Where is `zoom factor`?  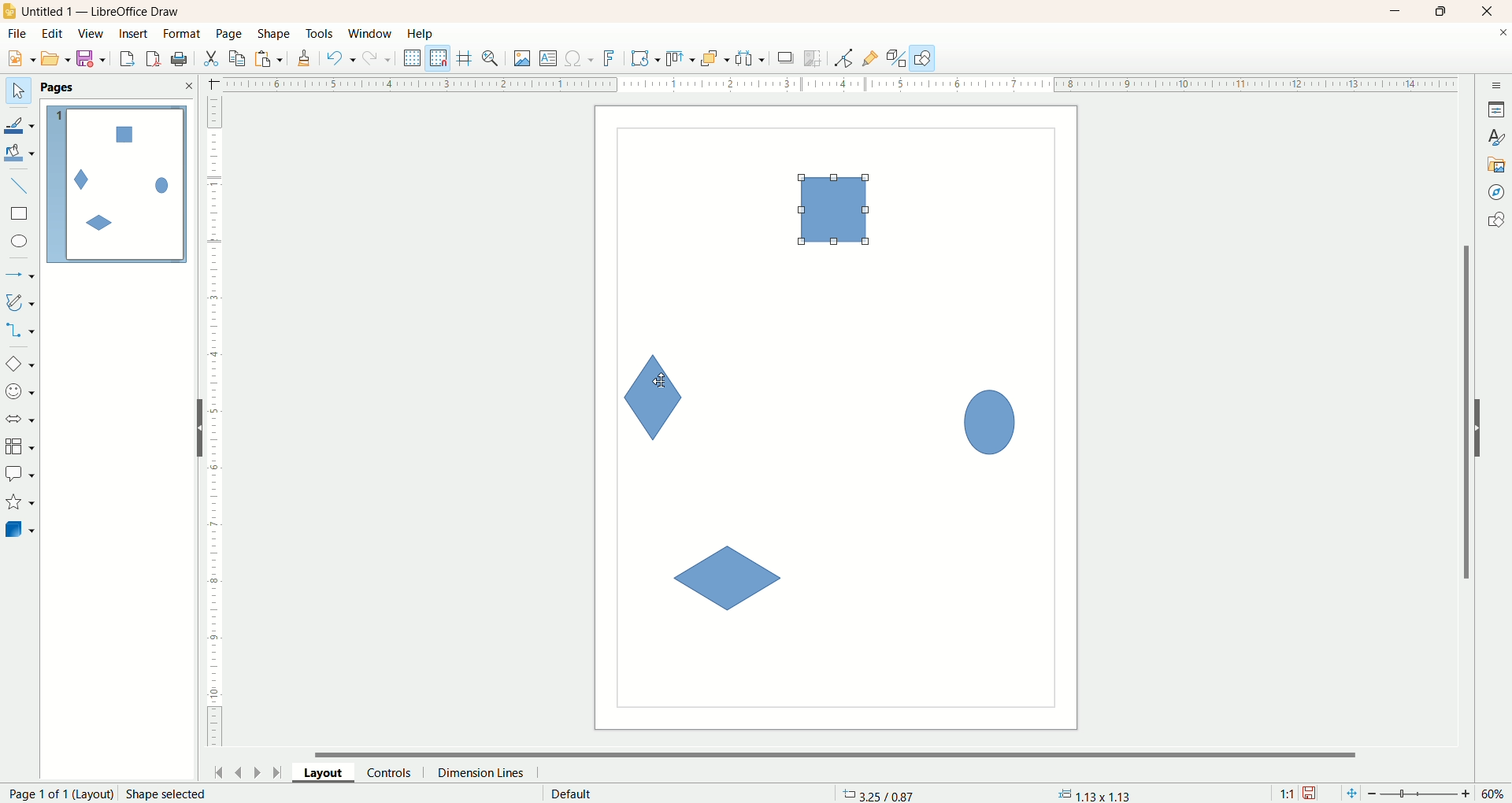
zoom factor is located at coordinates (1421, 794).